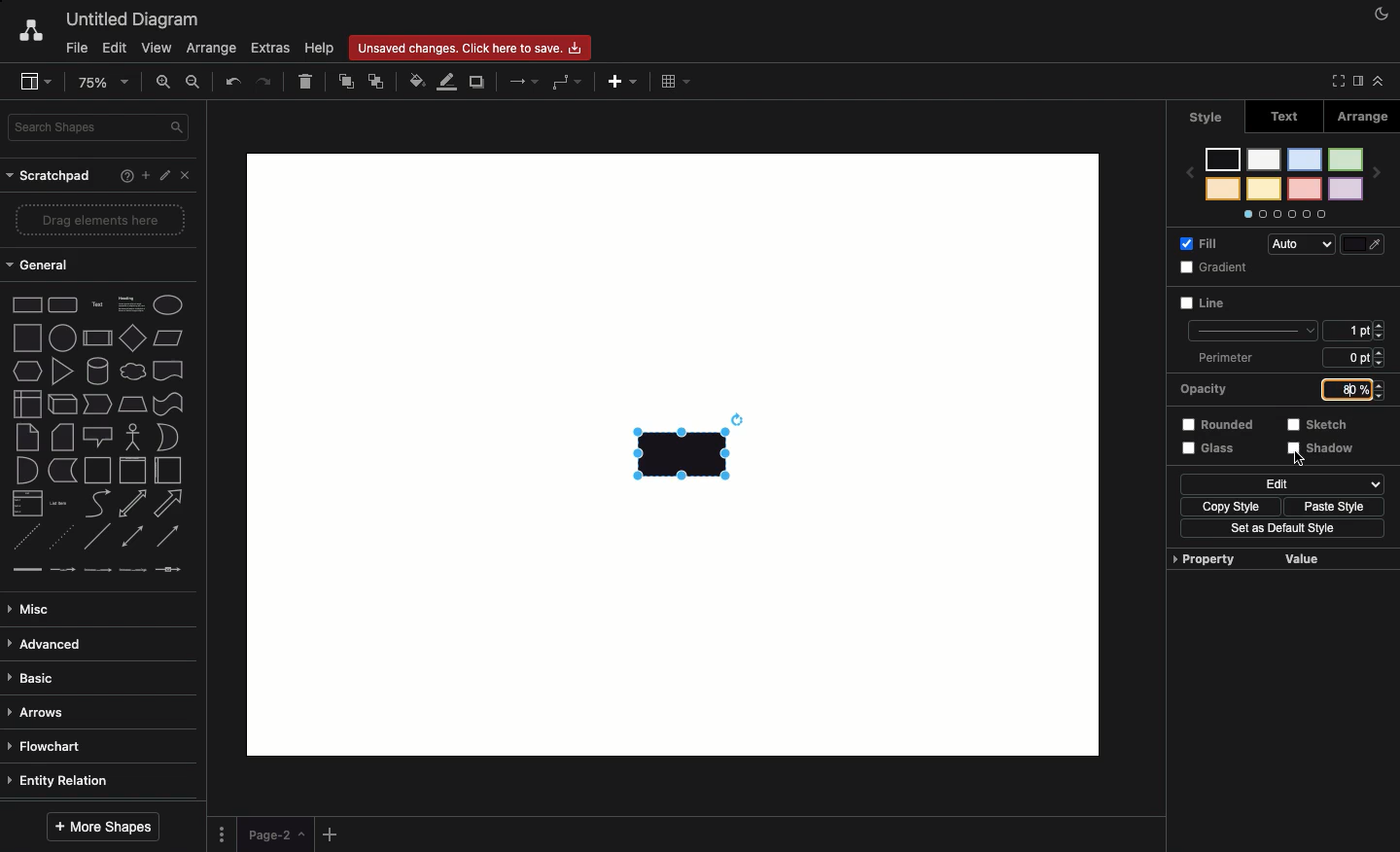  I want to click on Close, so click(184, 178).